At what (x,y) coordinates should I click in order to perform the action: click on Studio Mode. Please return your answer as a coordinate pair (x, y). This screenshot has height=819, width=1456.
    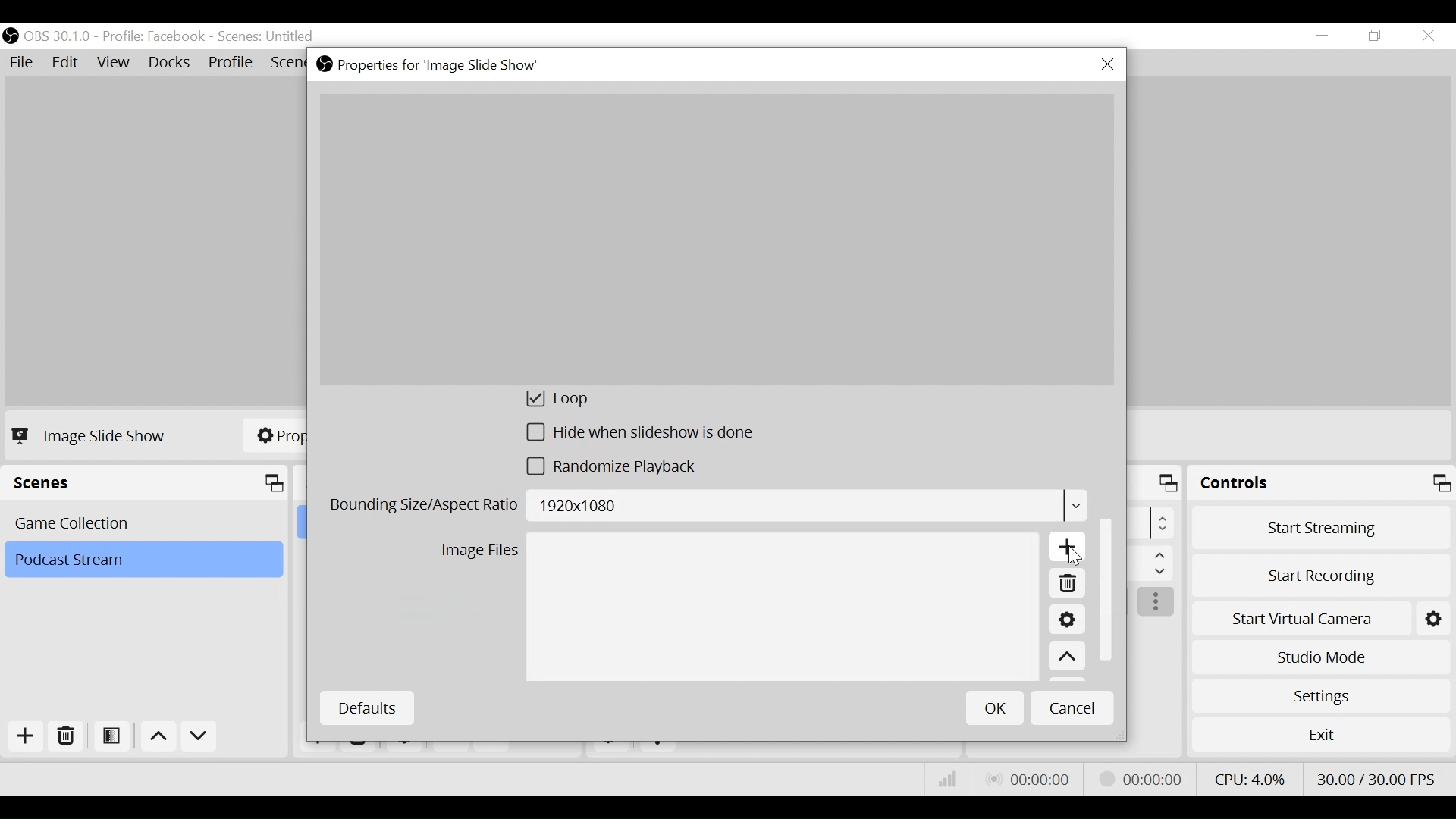
    Looking at the image, I should click on (1321, 655).